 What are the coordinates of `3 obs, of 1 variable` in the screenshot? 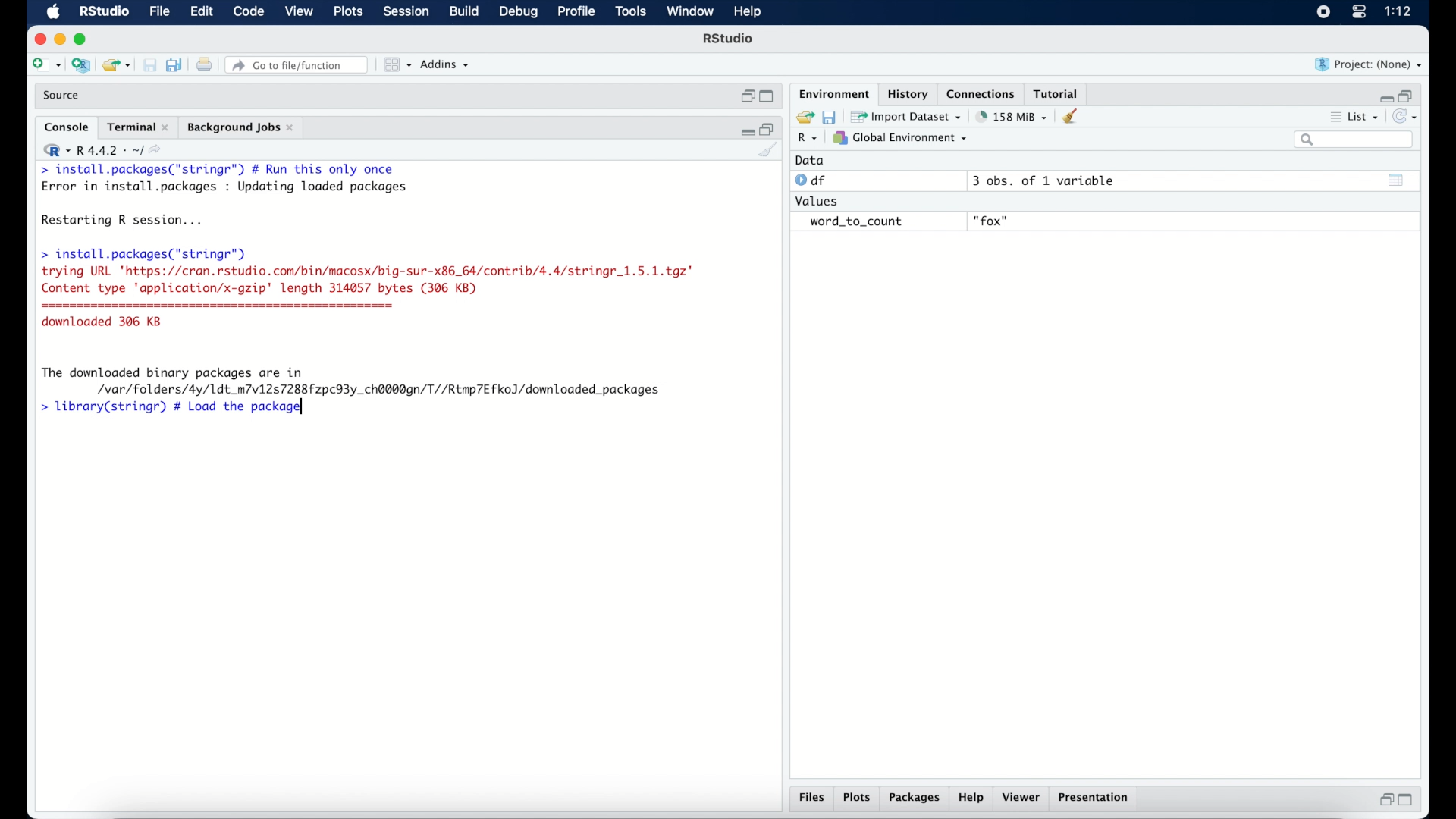 It's located at (1050, 180).